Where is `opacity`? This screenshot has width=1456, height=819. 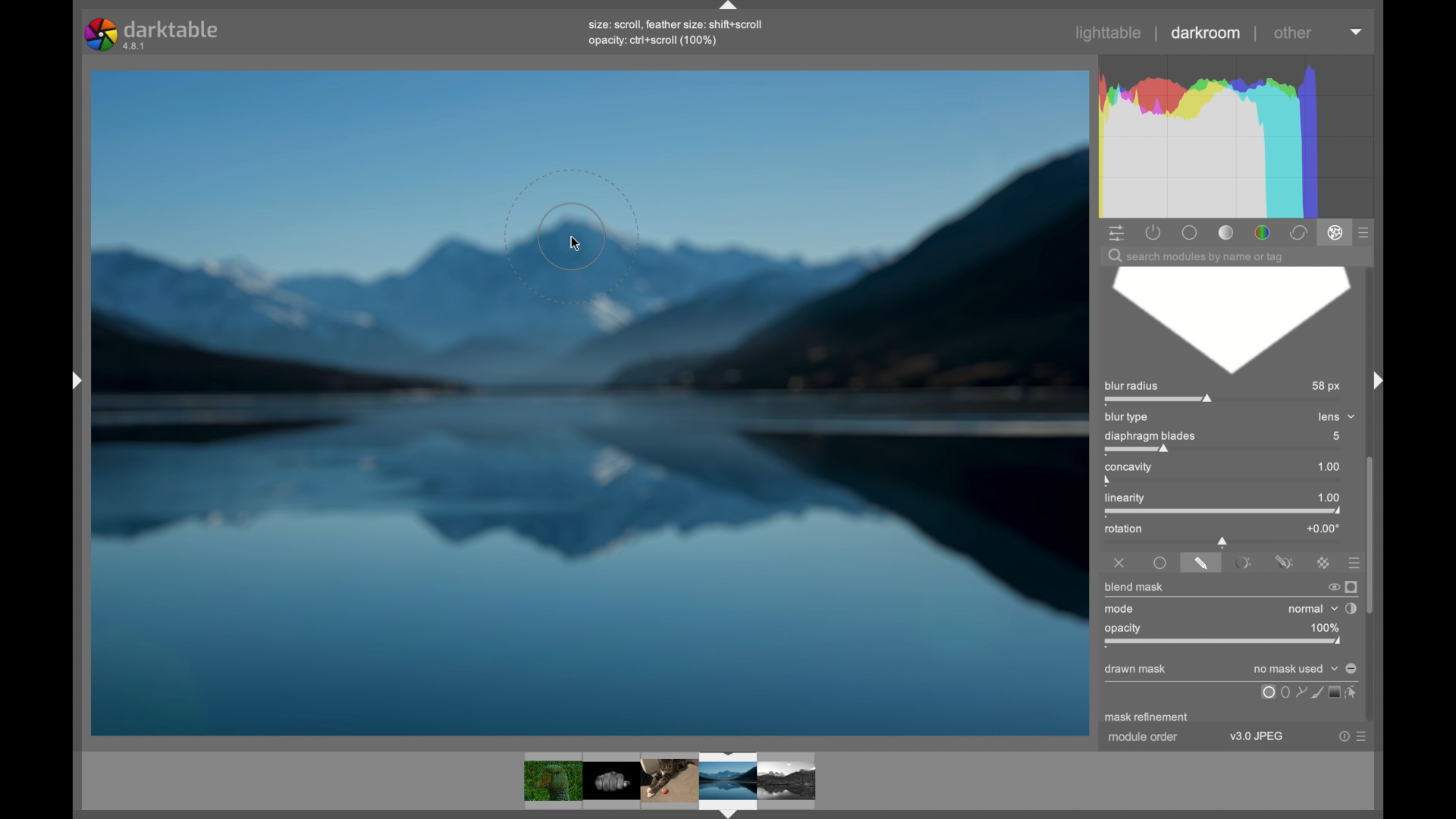
opacity is located at coordinates (1222, 643).